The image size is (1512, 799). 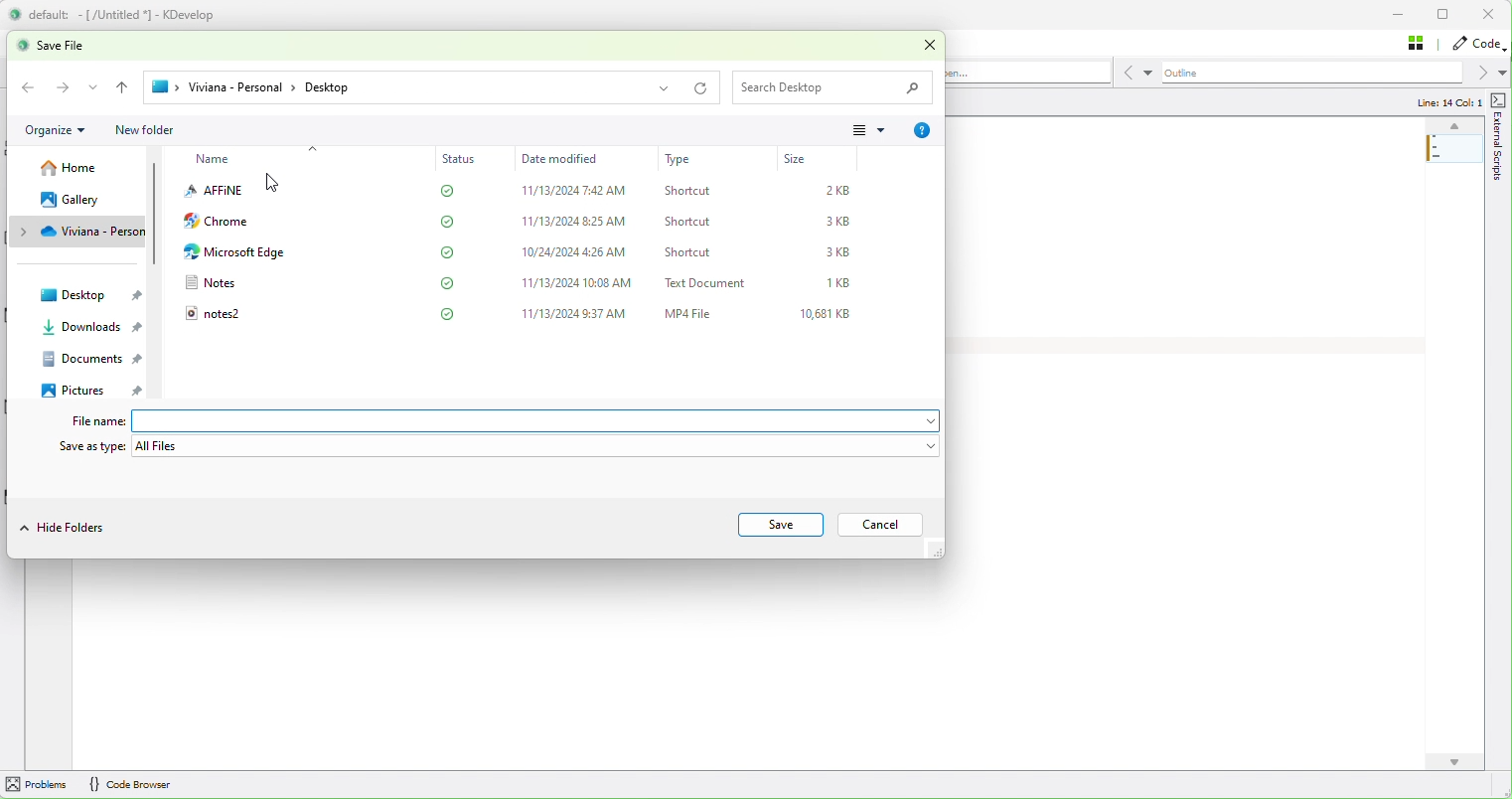 What do you see at coordinates (220, 221) in the screenshot?
I see `Chrome` at bounding box center [220, 221].